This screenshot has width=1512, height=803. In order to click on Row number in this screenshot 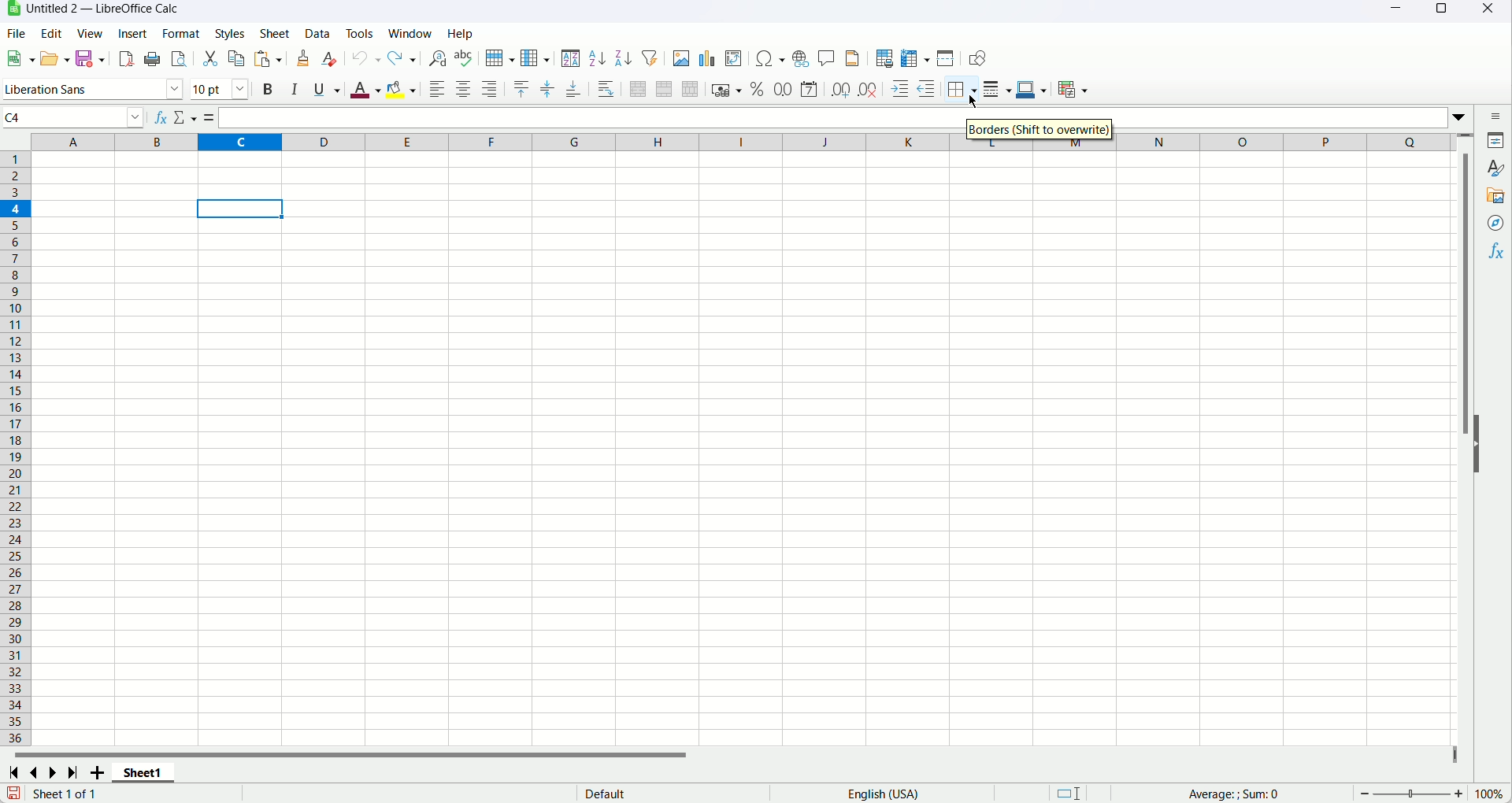, I will do `click(16, 447)`.